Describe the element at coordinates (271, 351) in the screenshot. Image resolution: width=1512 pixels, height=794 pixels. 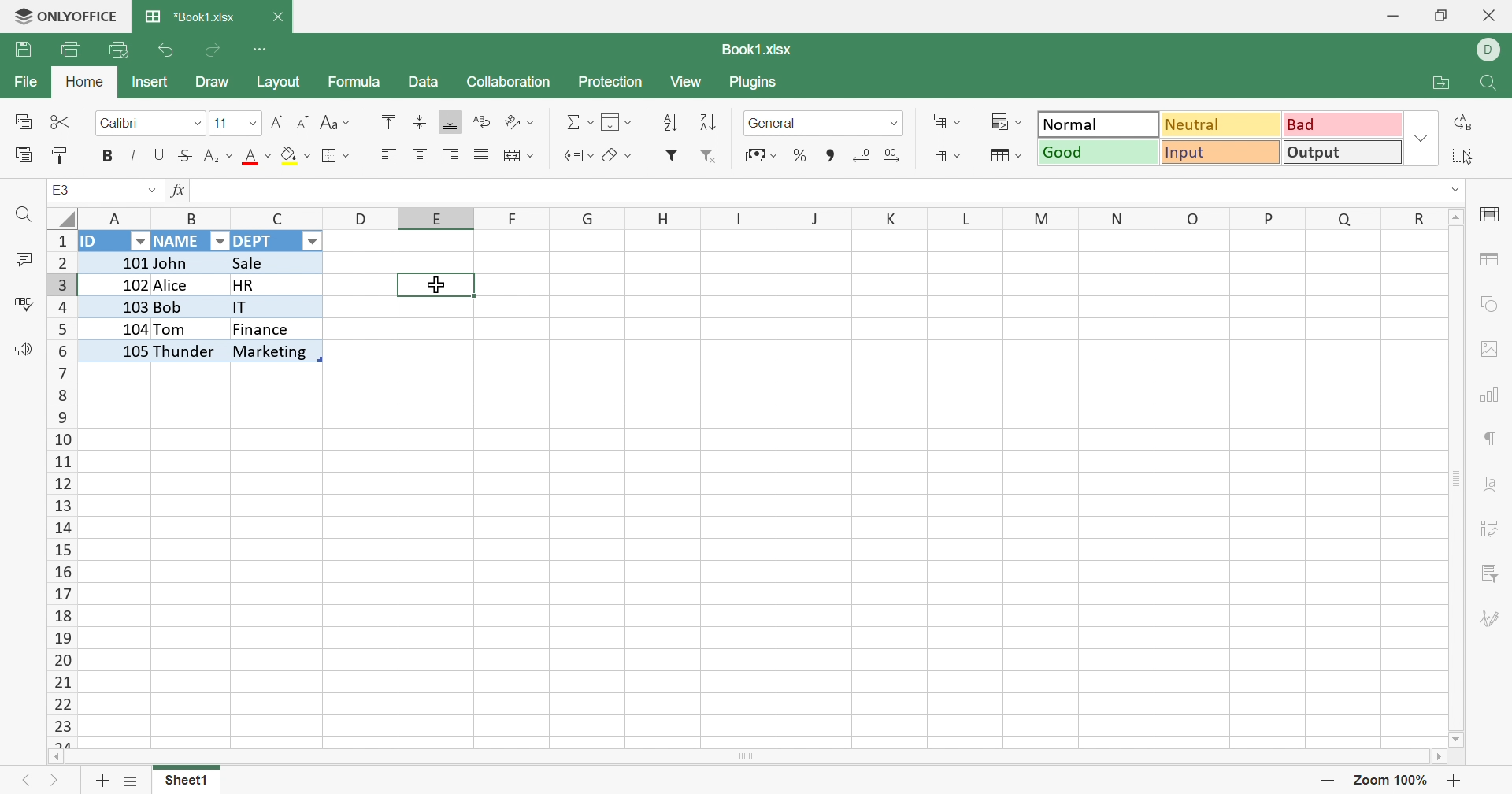
I see `Marketing` at that location.